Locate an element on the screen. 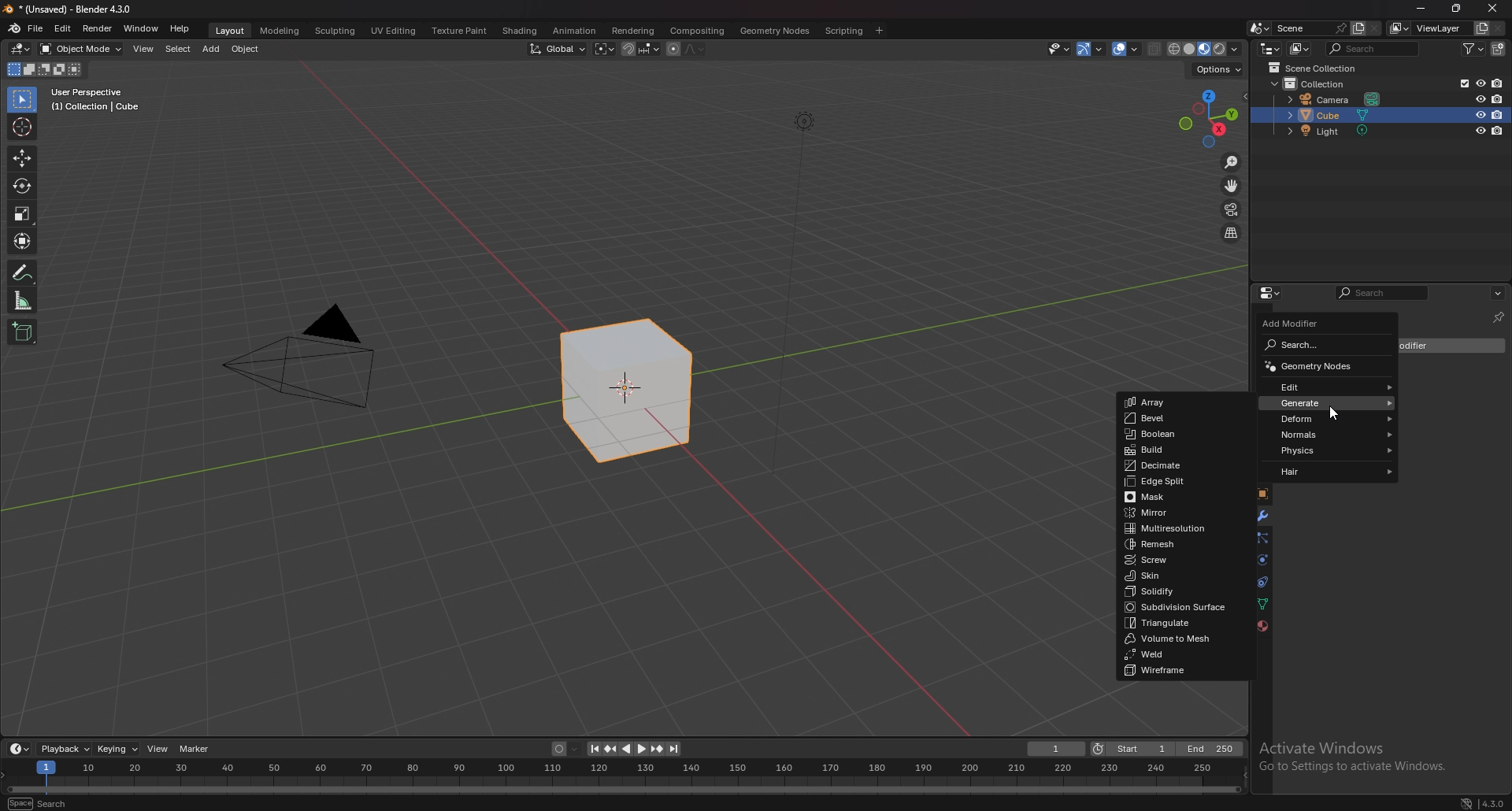  scale is located at coordinates (23, 214).